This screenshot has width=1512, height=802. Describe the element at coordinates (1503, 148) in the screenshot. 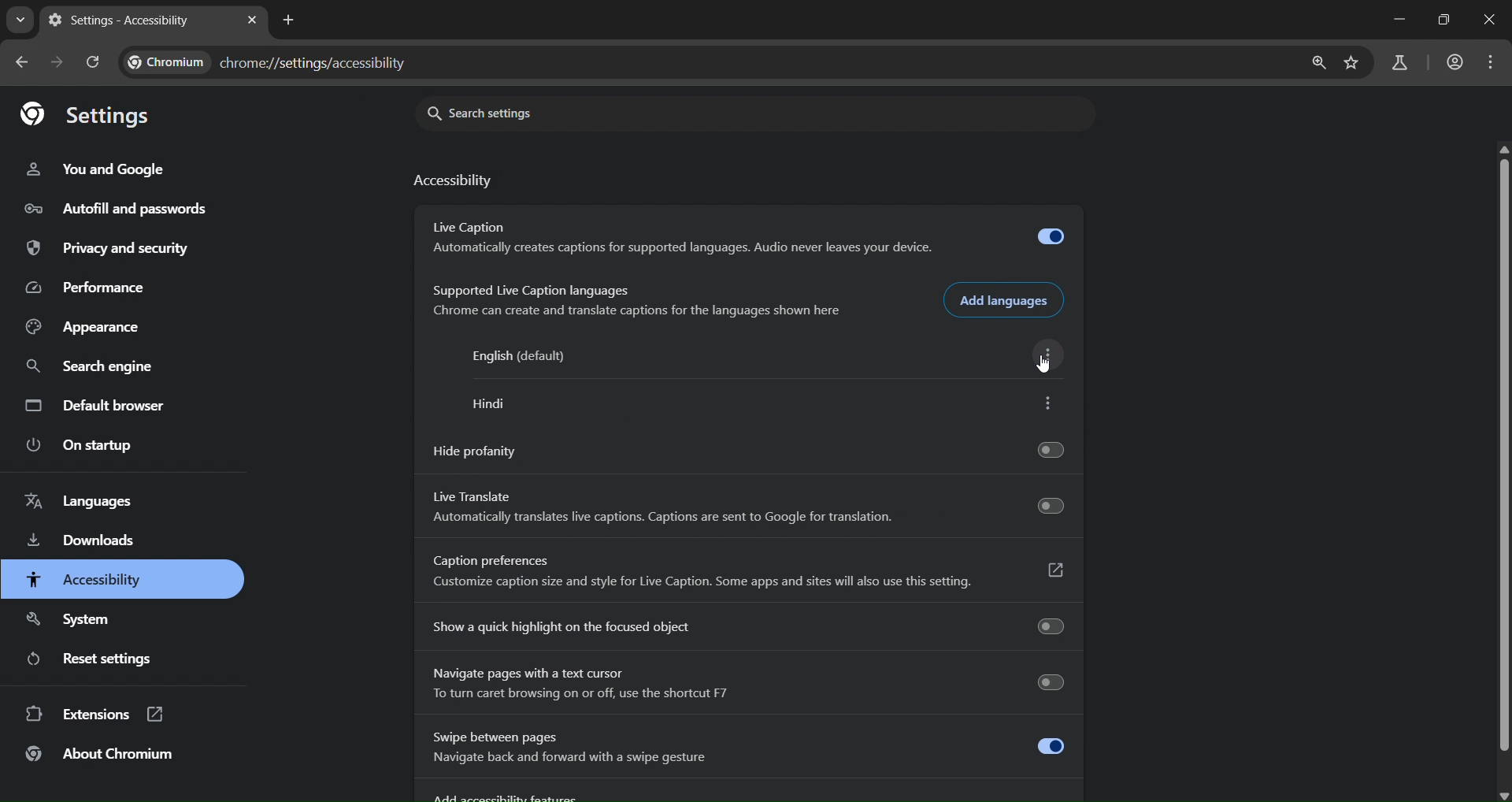

I see `scroll up ` at that location.